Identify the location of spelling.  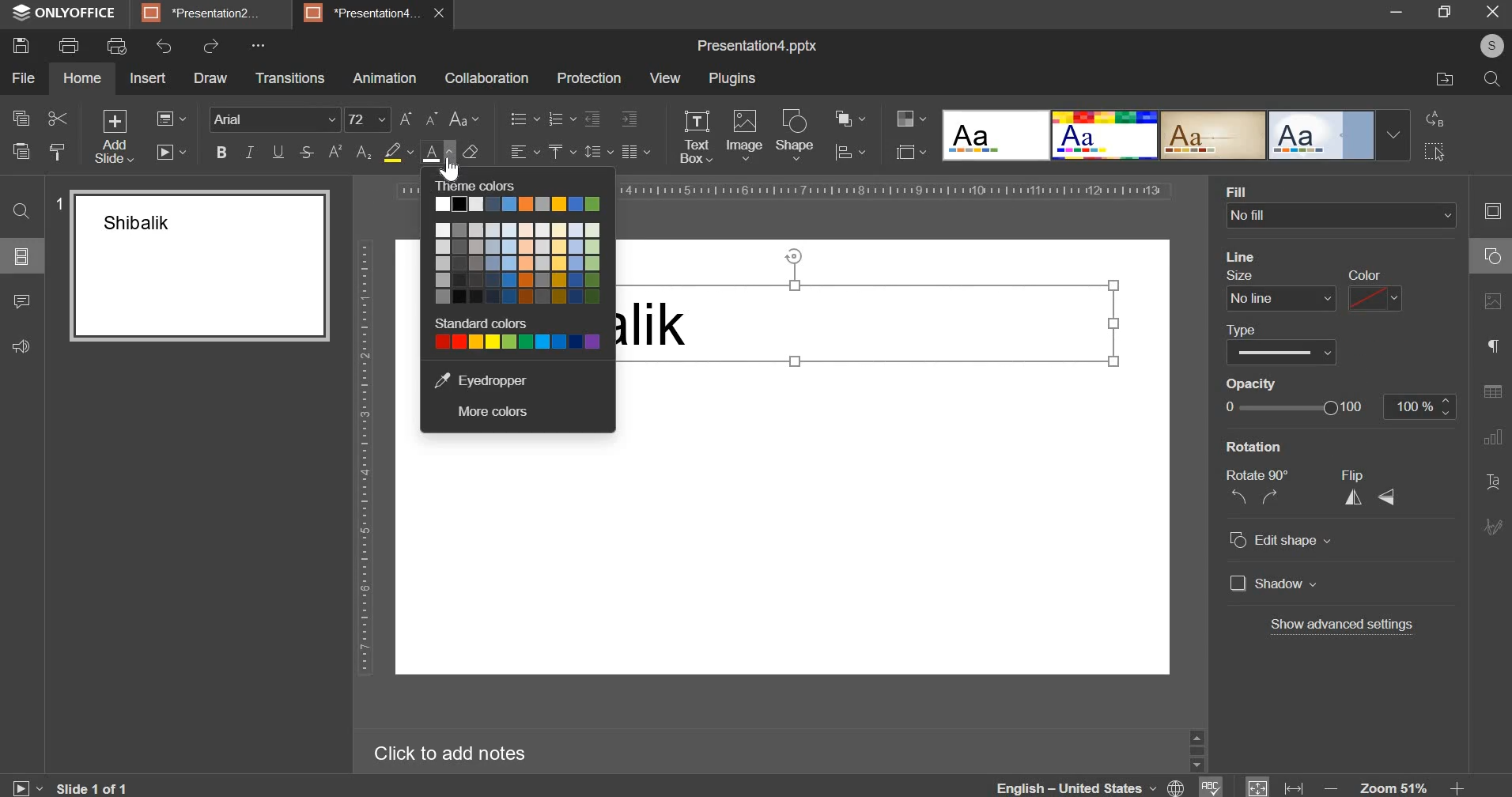
(1214, 785).